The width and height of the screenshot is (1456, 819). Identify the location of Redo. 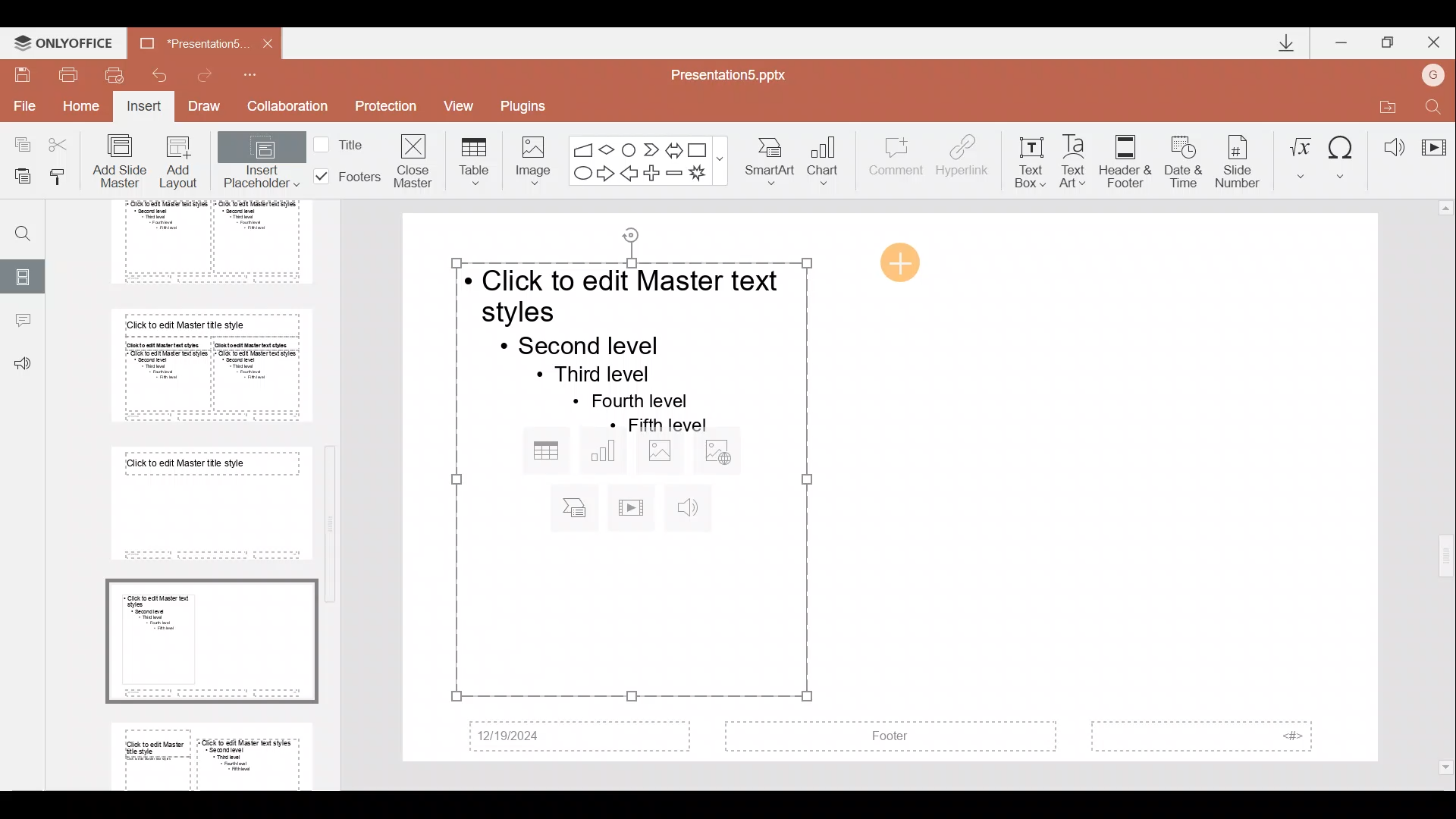
(211, 75).